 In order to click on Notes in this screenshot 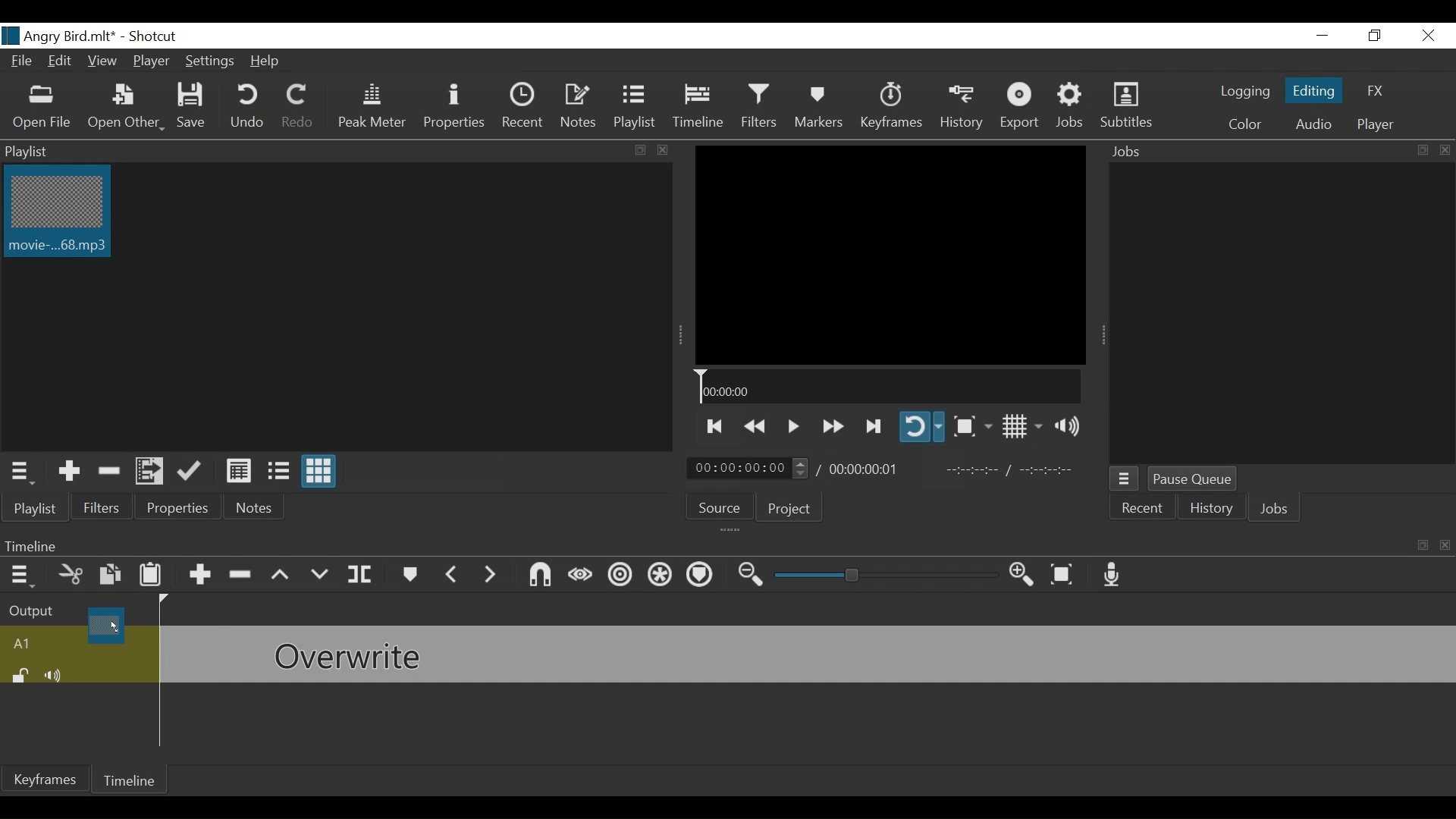, I will do `click(580, 106)`.